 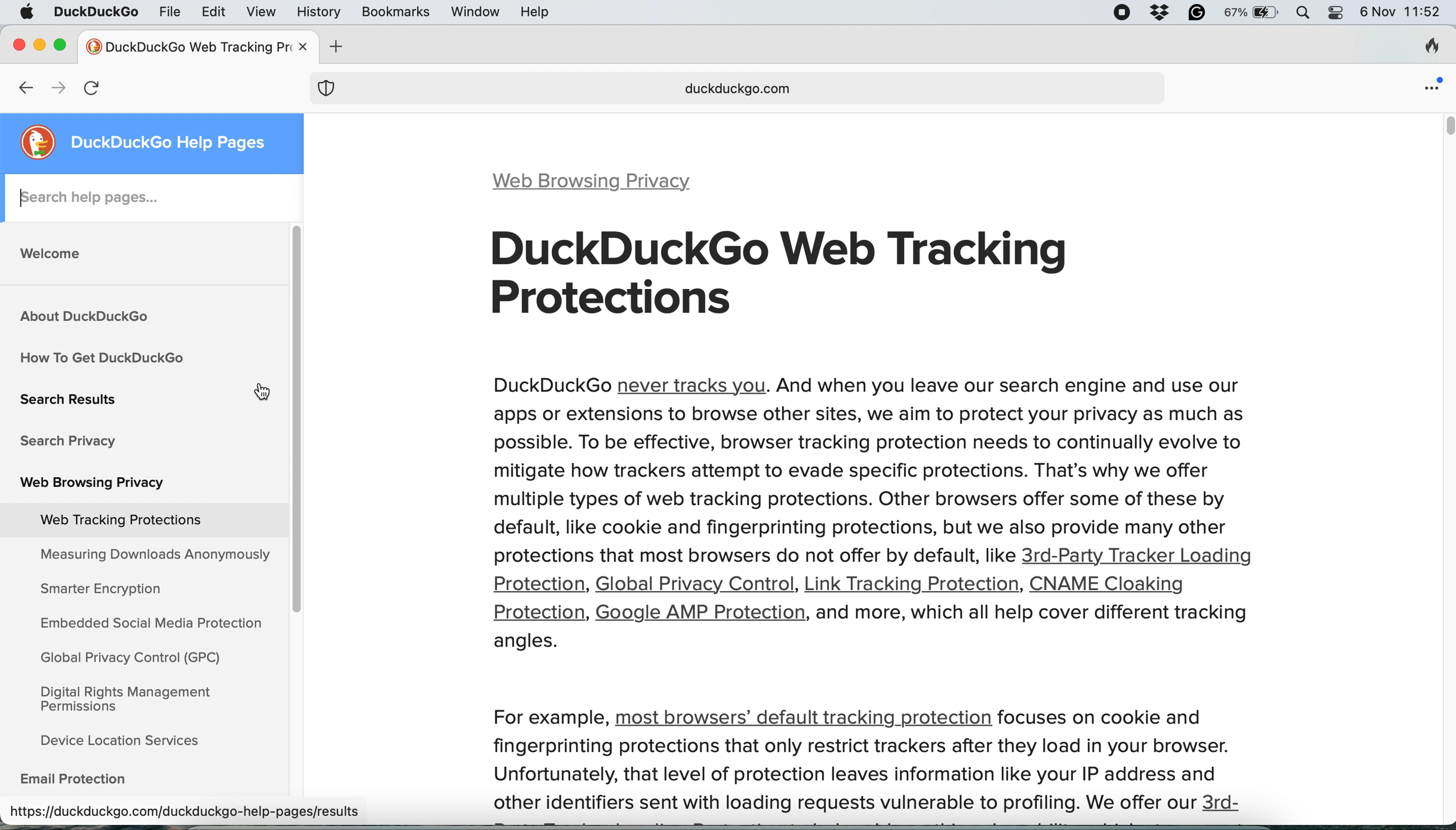 What do you see at coordinates (532, 643) in the screenshot?
I see `angles` at bounding box center [532, 643].